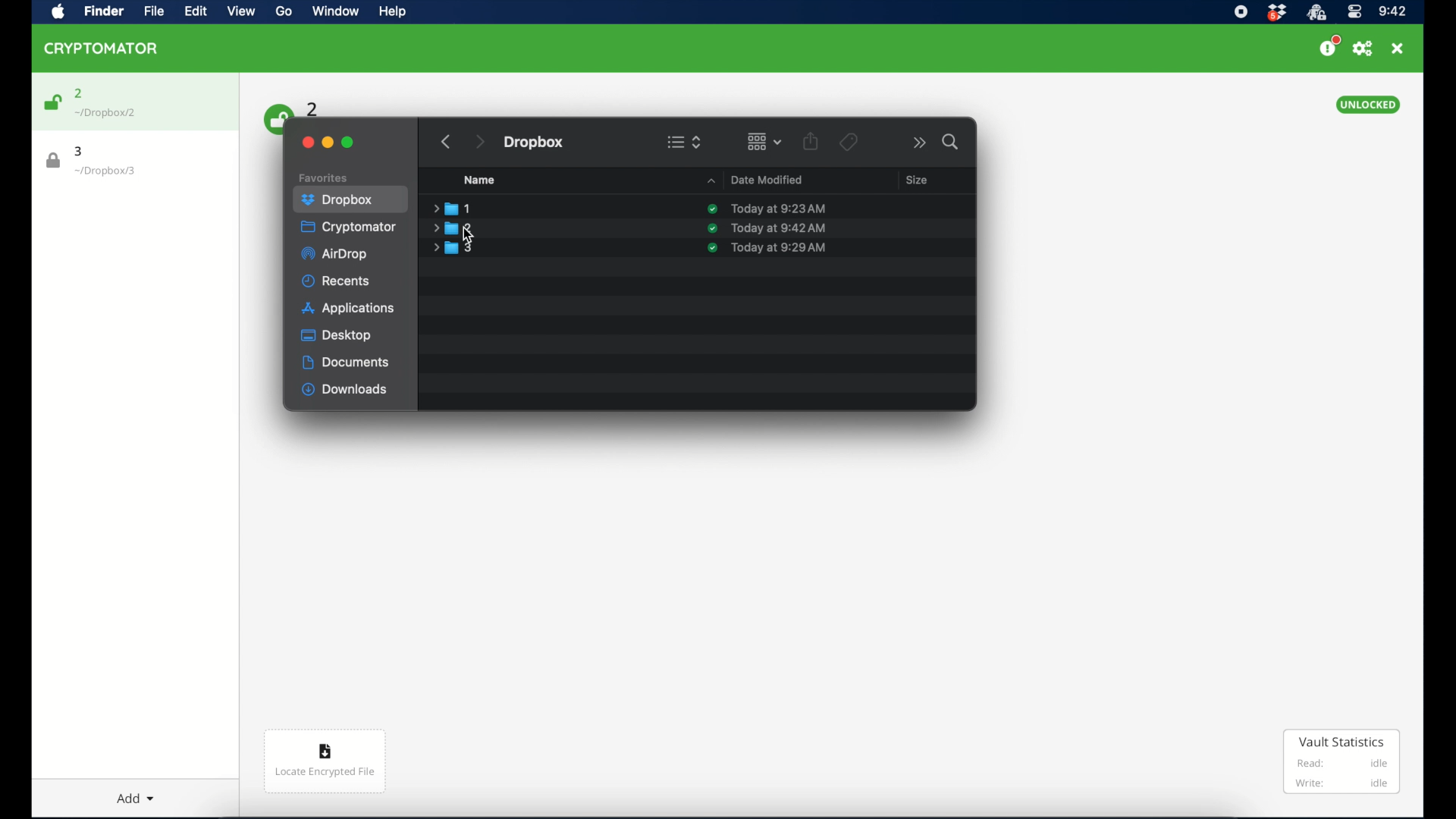  Describe the element at coordinates (1316, 13) in the screenshot. I see `cryptomator icon` at that location.